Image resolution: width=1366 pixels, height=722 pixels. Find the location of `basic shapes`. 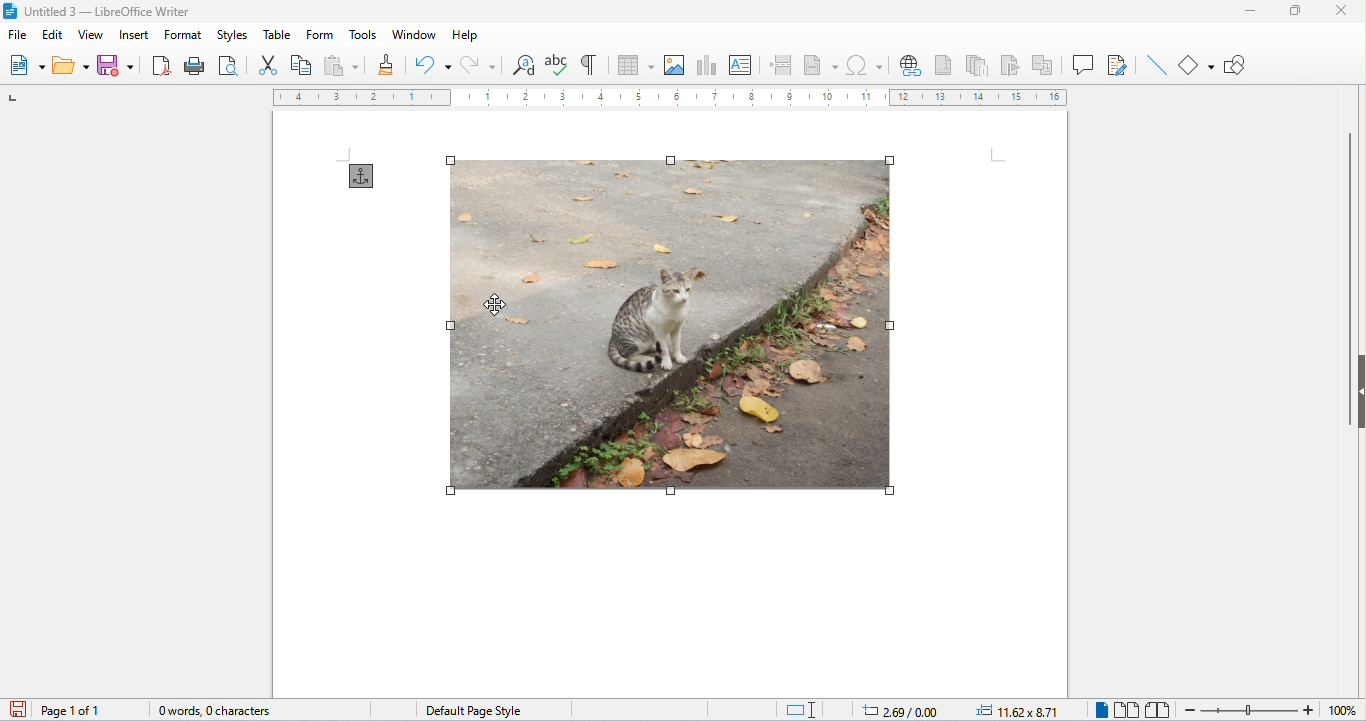

basic shapes is located at coordinates (1198, 64).